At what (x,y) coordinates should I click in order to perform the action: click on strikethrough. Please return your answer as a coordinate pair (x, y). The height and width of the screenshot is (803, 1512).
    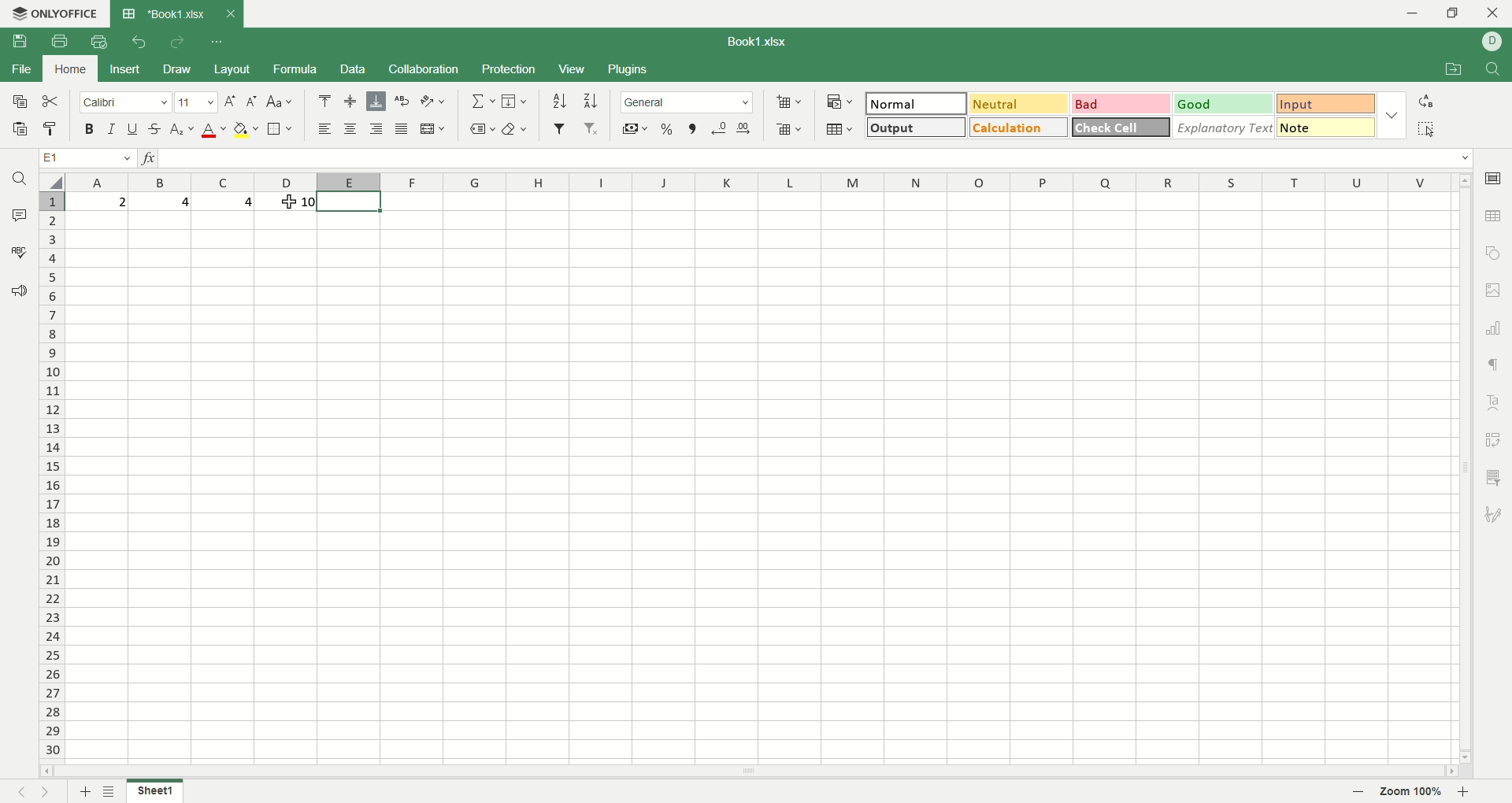
    Looking at the image, I should click on (155, 130).